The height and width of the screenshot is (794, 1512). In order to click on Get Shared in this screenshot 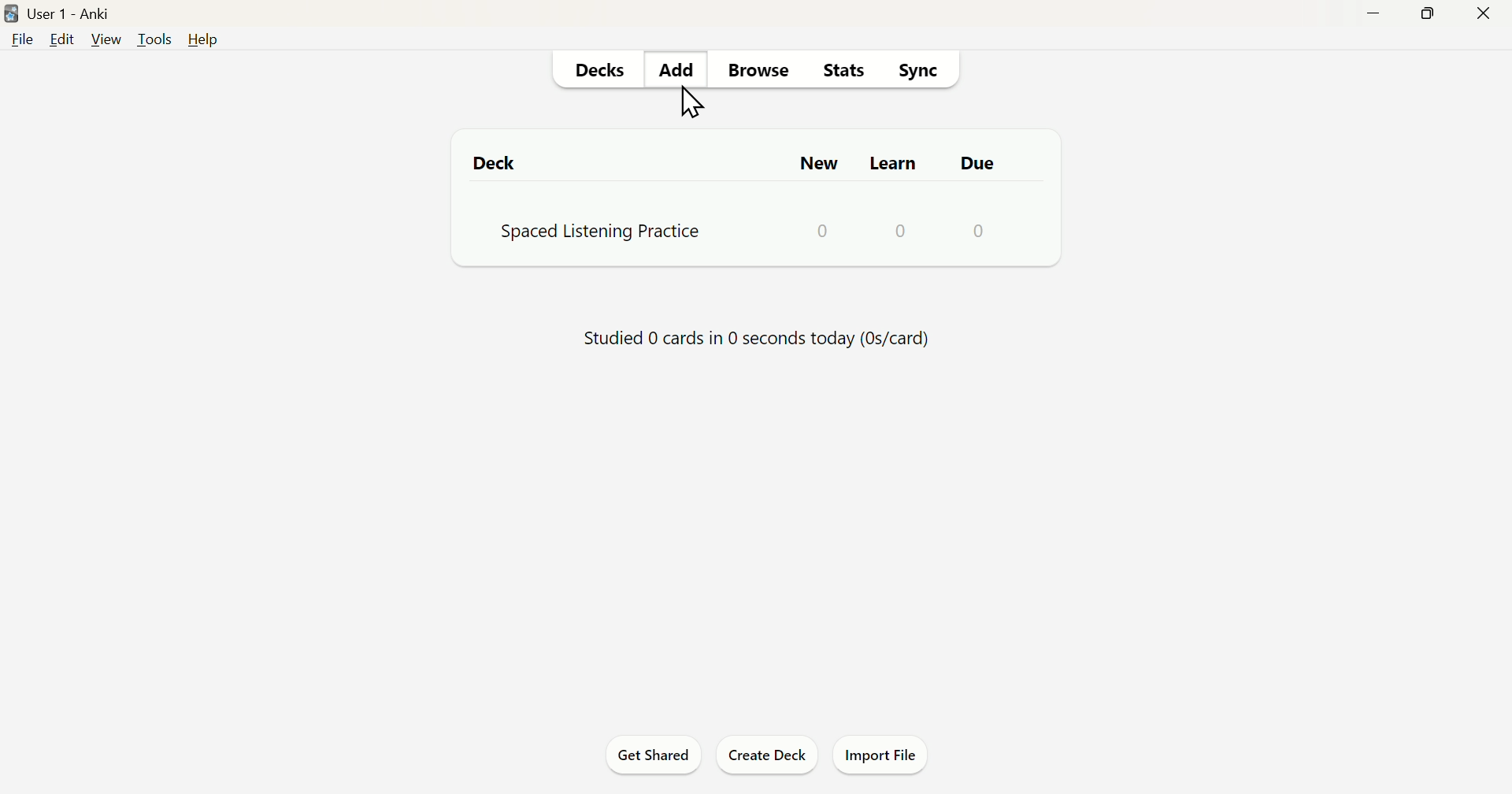, I will do `click(651, 752)`.